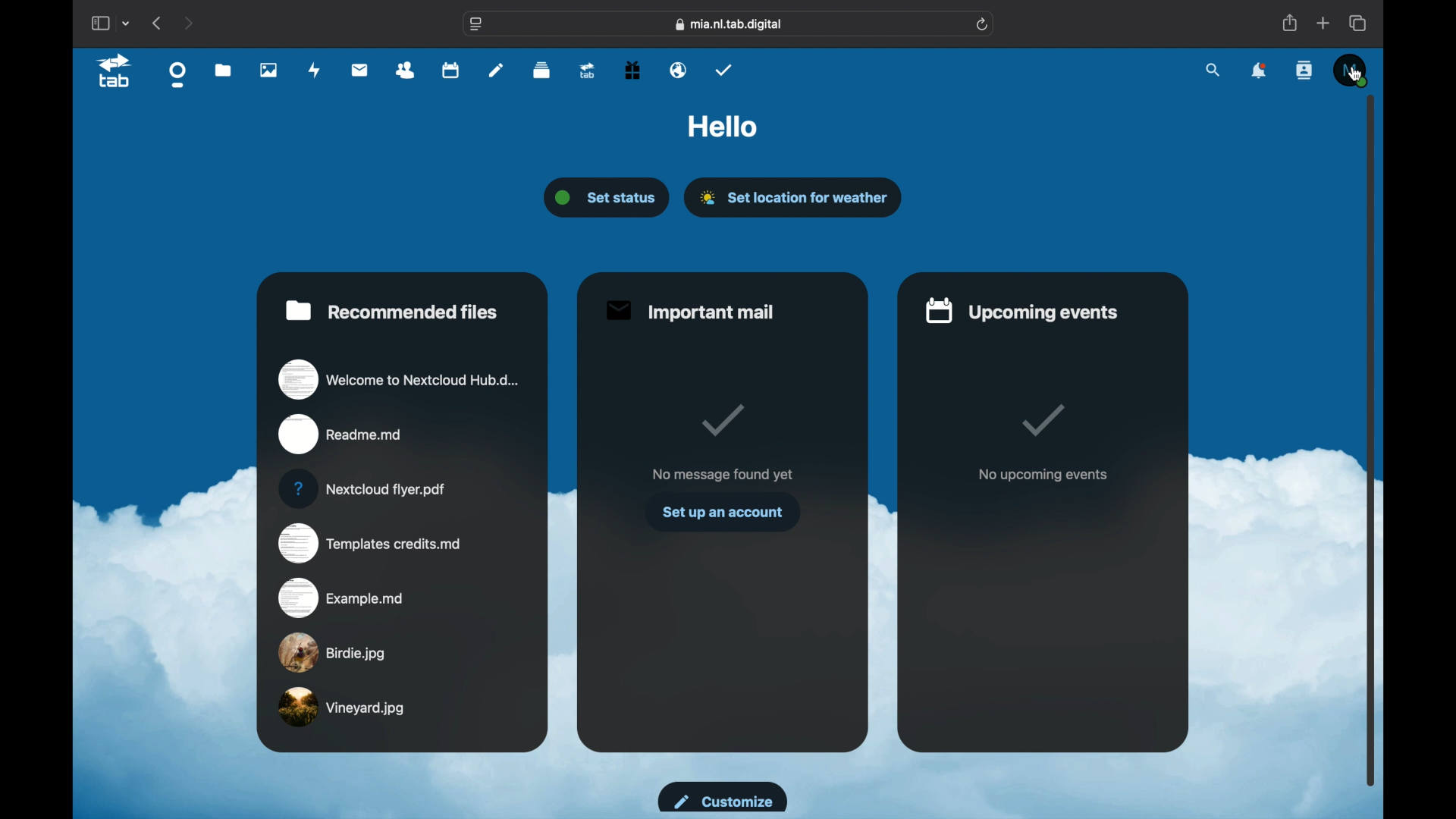 This screenshot has height=819, width=1456. What do you see at coordinates (586, 71) in the screenshot?
I see `upgrade` at bounding box center [586, 71].